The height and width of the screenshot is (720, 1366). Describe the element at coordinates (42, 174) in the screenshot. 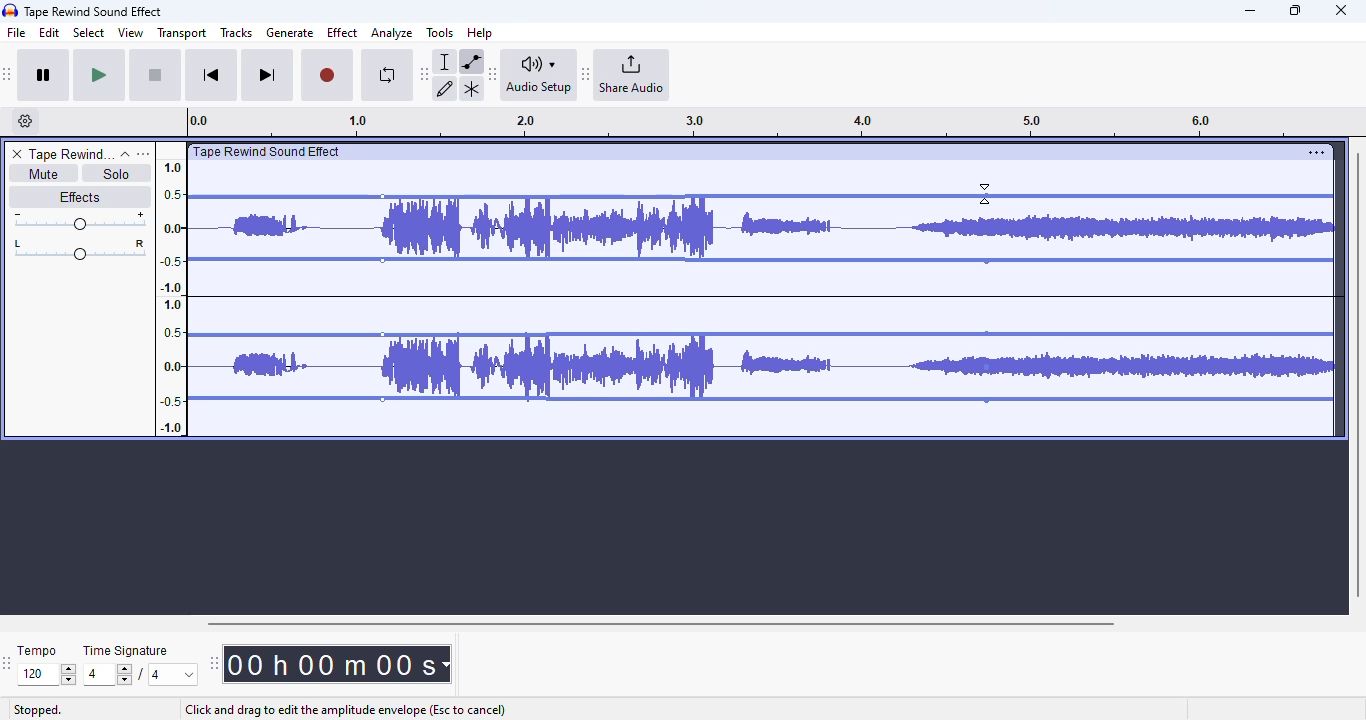

I see `mute` at that location.